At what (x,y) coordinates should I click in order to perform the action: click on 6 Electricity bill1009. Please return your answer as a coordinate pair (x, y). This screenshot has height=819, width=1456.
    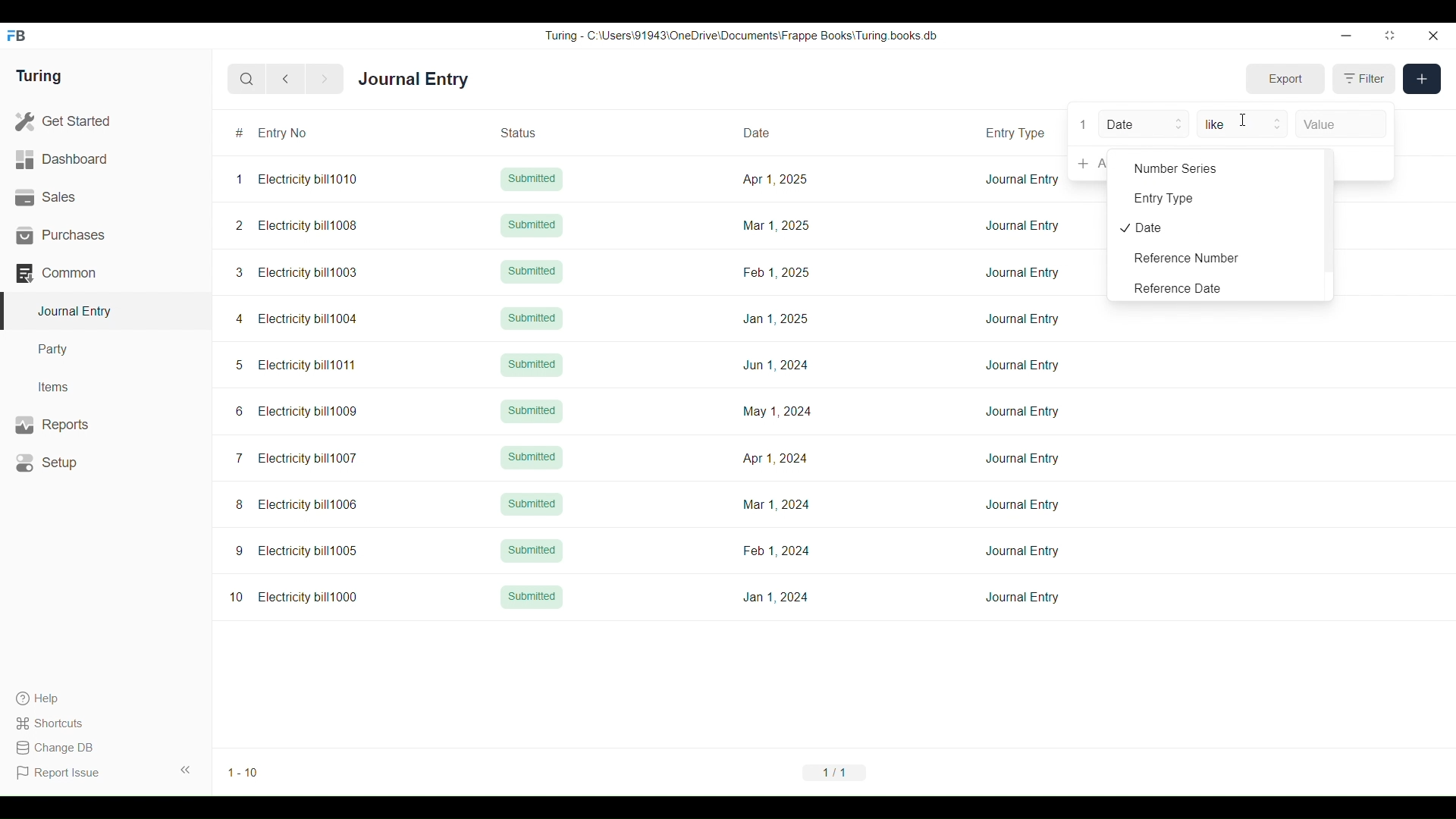
    Looking at the image, I should click on (297, 411).